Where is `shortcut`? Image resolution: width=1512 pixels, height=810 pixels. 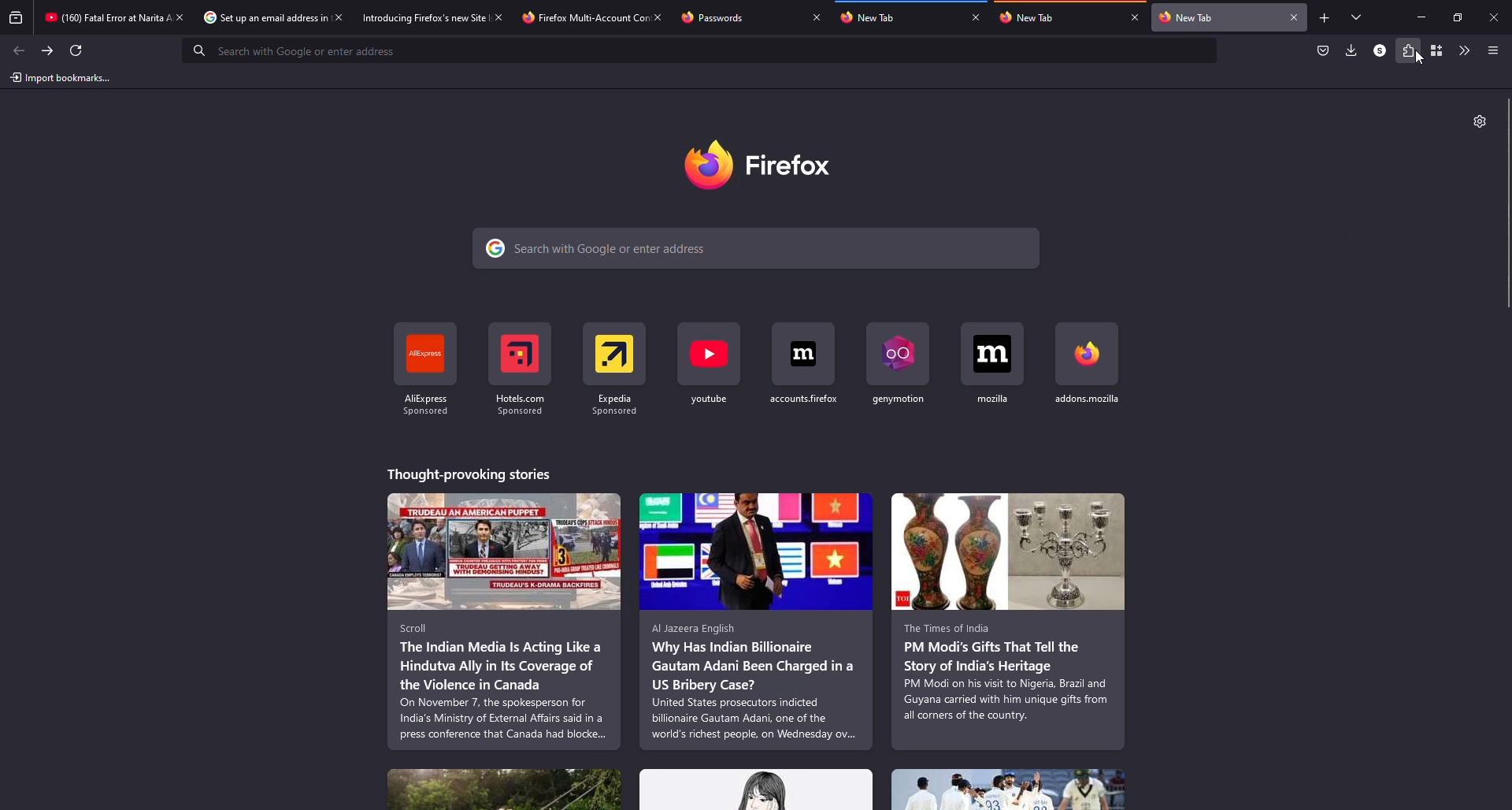
shortcut is located at coordinates (624, 366).